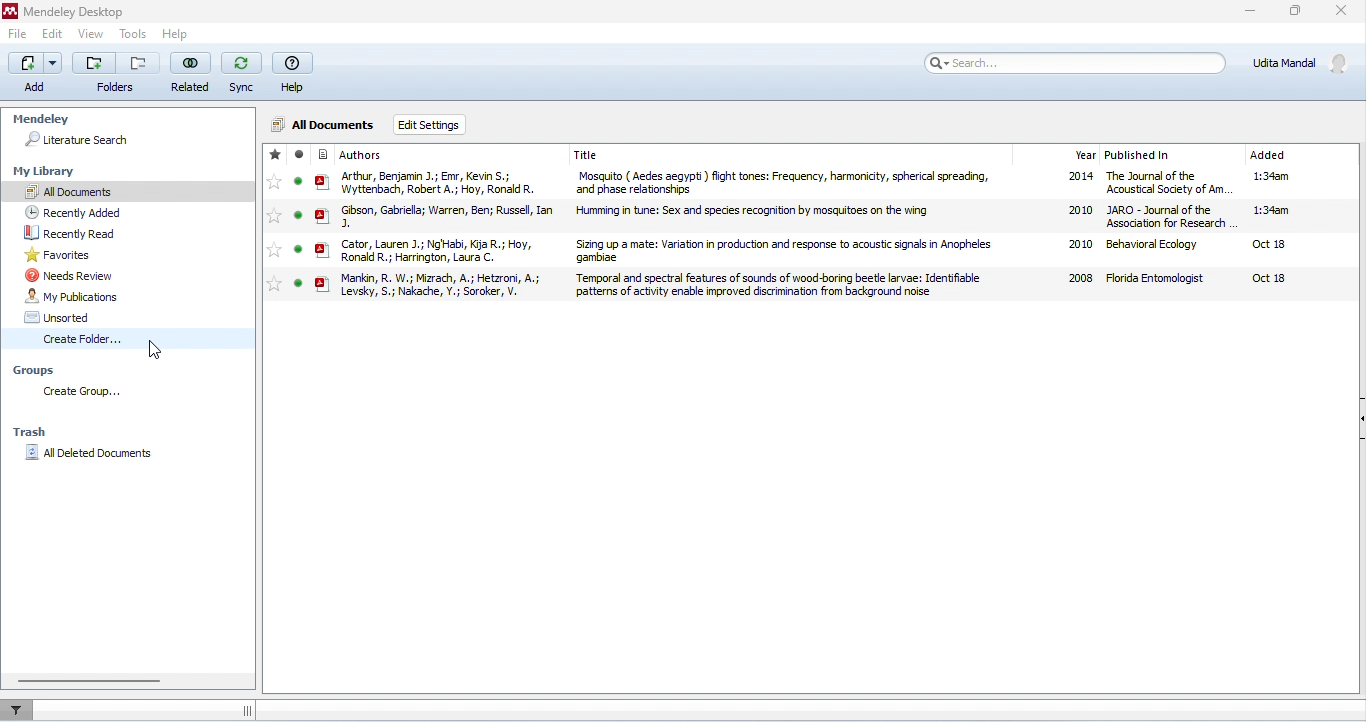 Image resolution: width=1366 pixels, height=722 pixels. What do you see at coordinates (116, 88) in the screenshot?
I see `folders` at bounding box center [116, 88].